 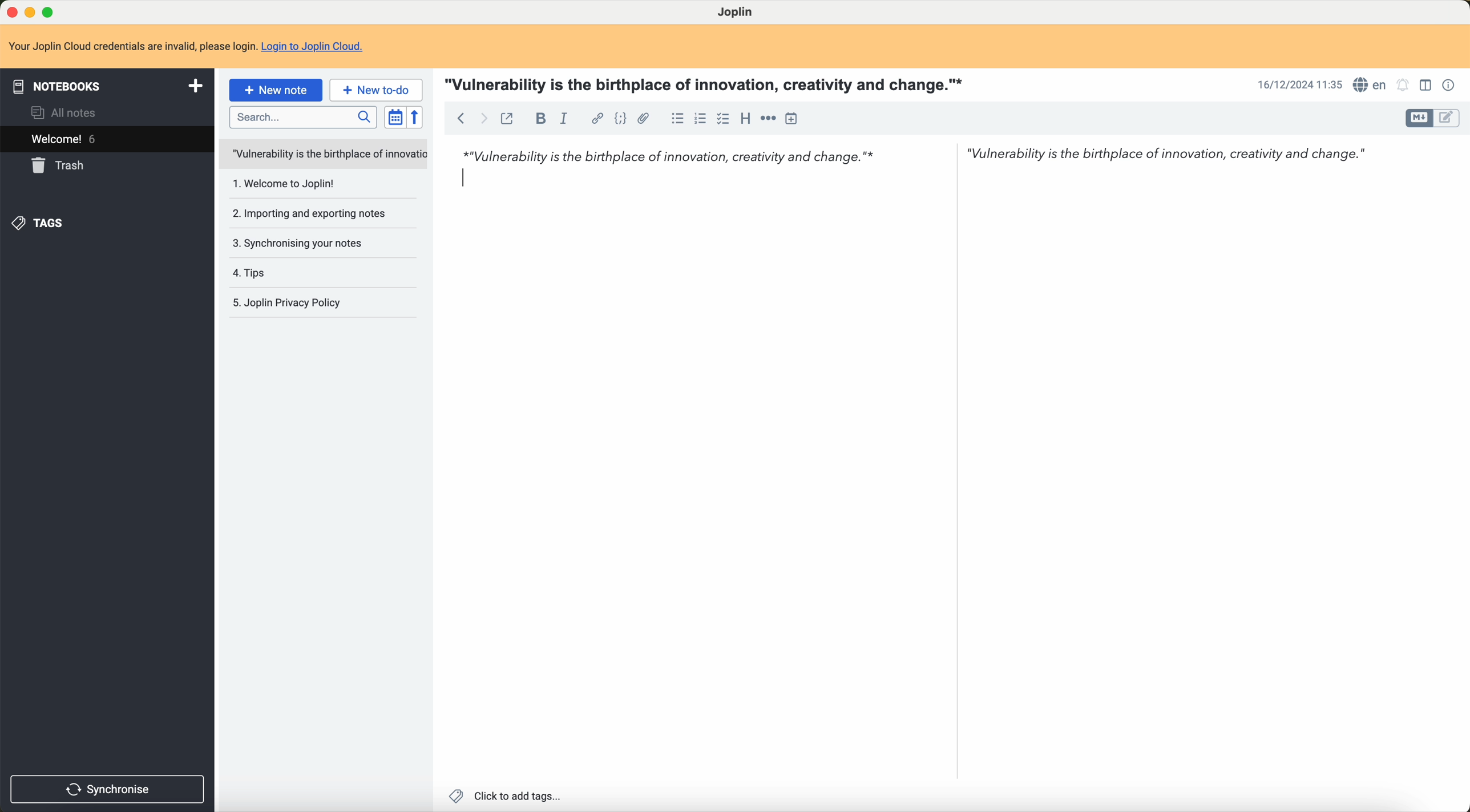 What do you see at coordinates (416, 117) in the screenshot?
I see `reverse sort order` at bounding box center [416, 117].